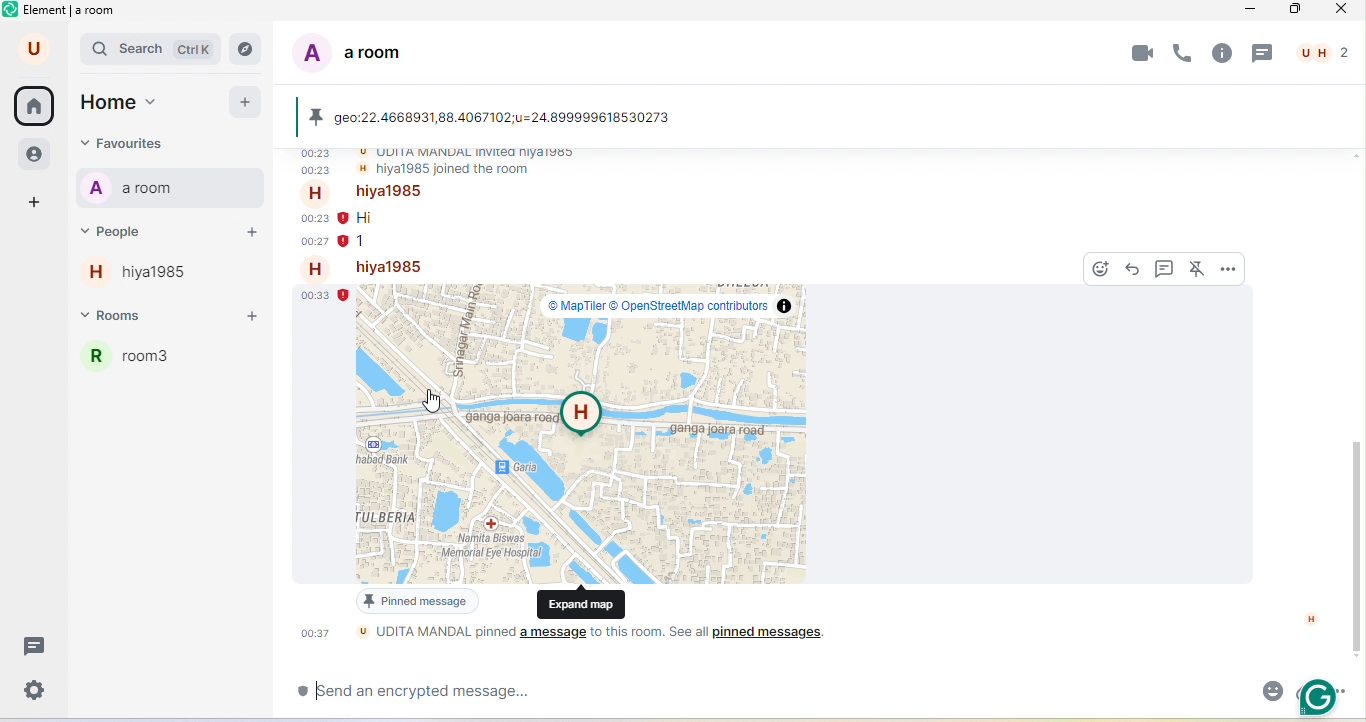 The width and height of the screenshot is (1366, 722). Describe the element at coordinates (391, 192) in the screenshot. I see `hiya 1985` at that location.